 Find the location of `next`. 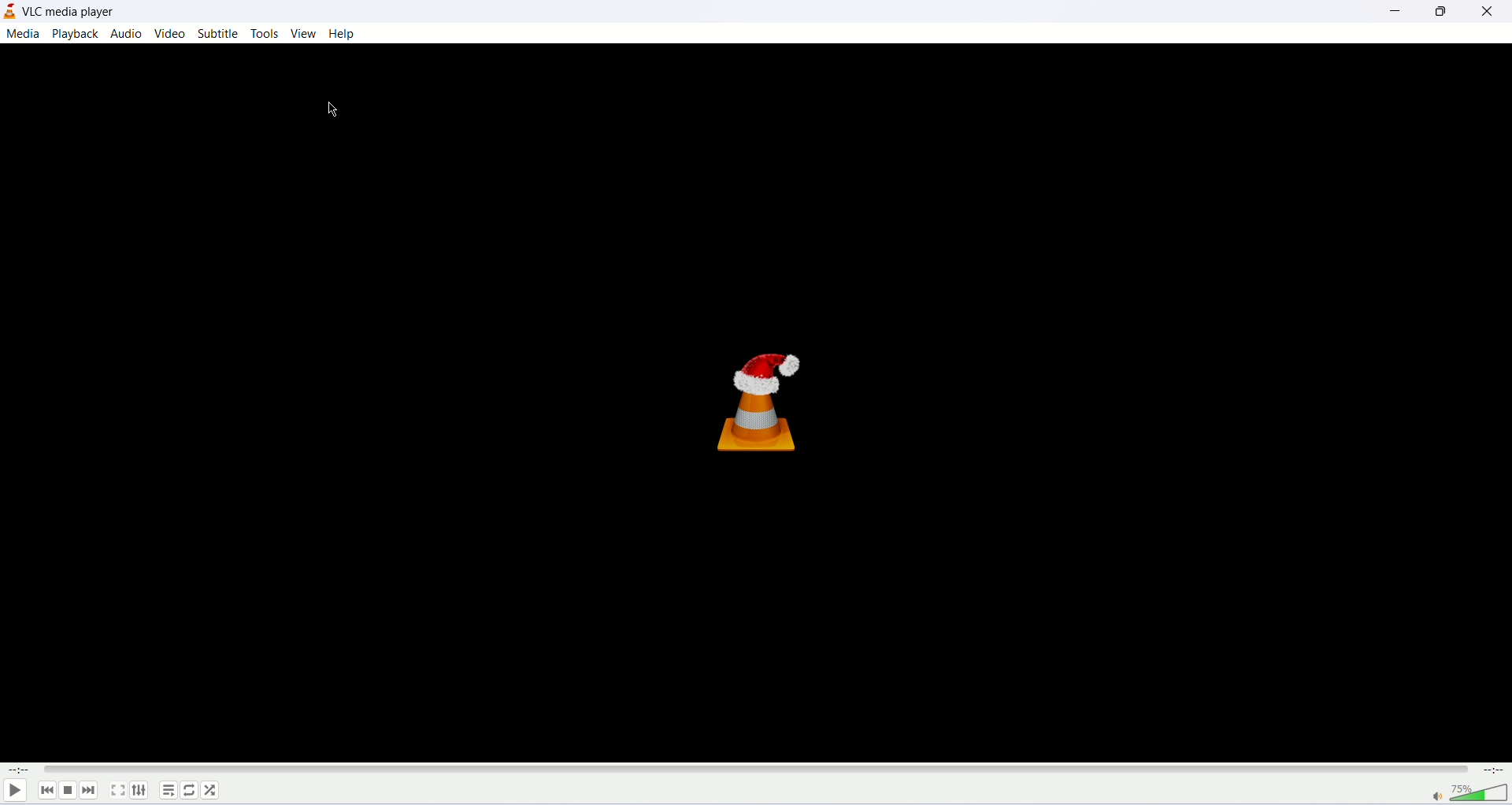

next is located at coordinates (88, 789).